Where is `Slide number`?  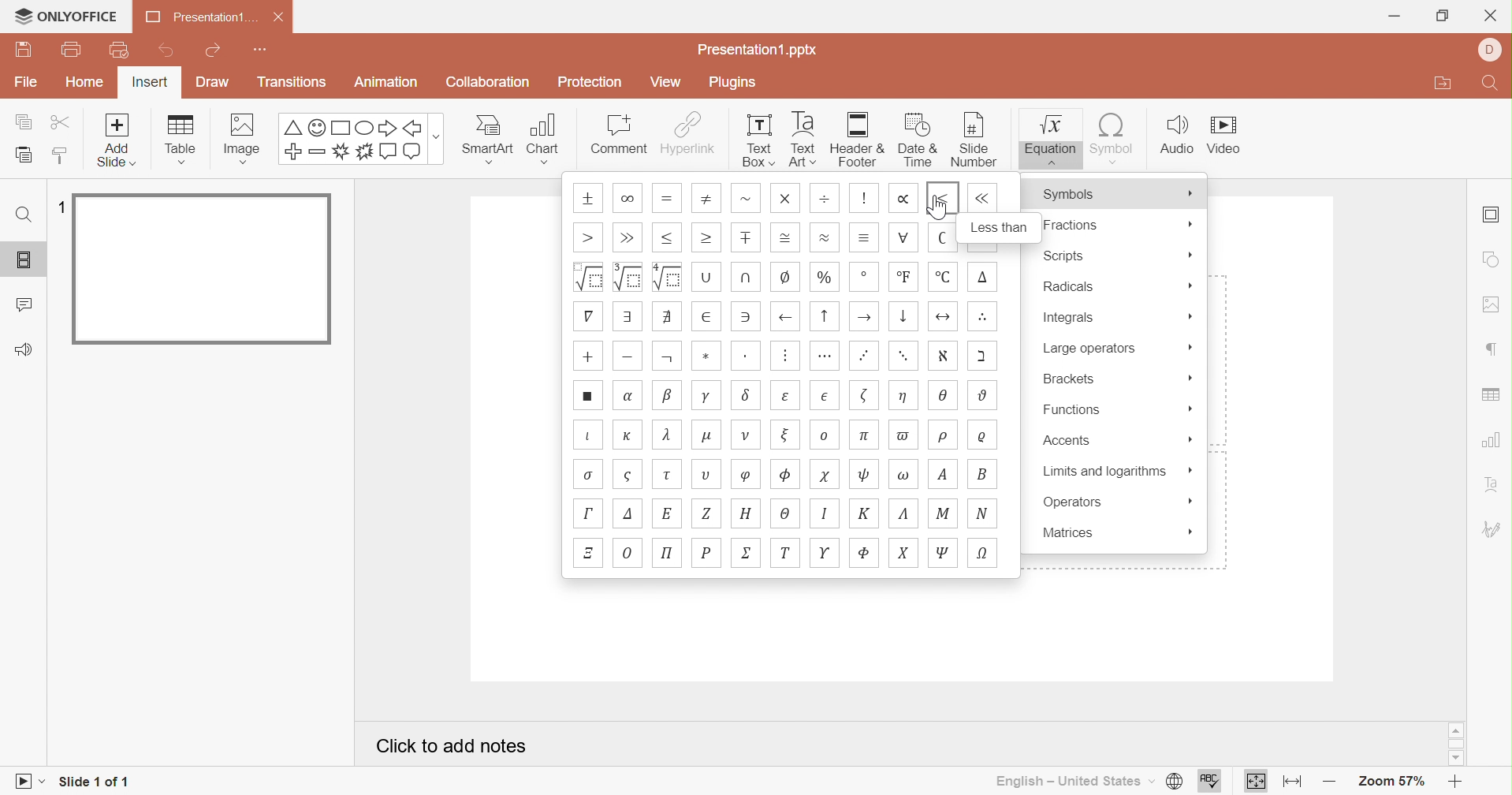
Slide number is located at coordinates (977, 139).